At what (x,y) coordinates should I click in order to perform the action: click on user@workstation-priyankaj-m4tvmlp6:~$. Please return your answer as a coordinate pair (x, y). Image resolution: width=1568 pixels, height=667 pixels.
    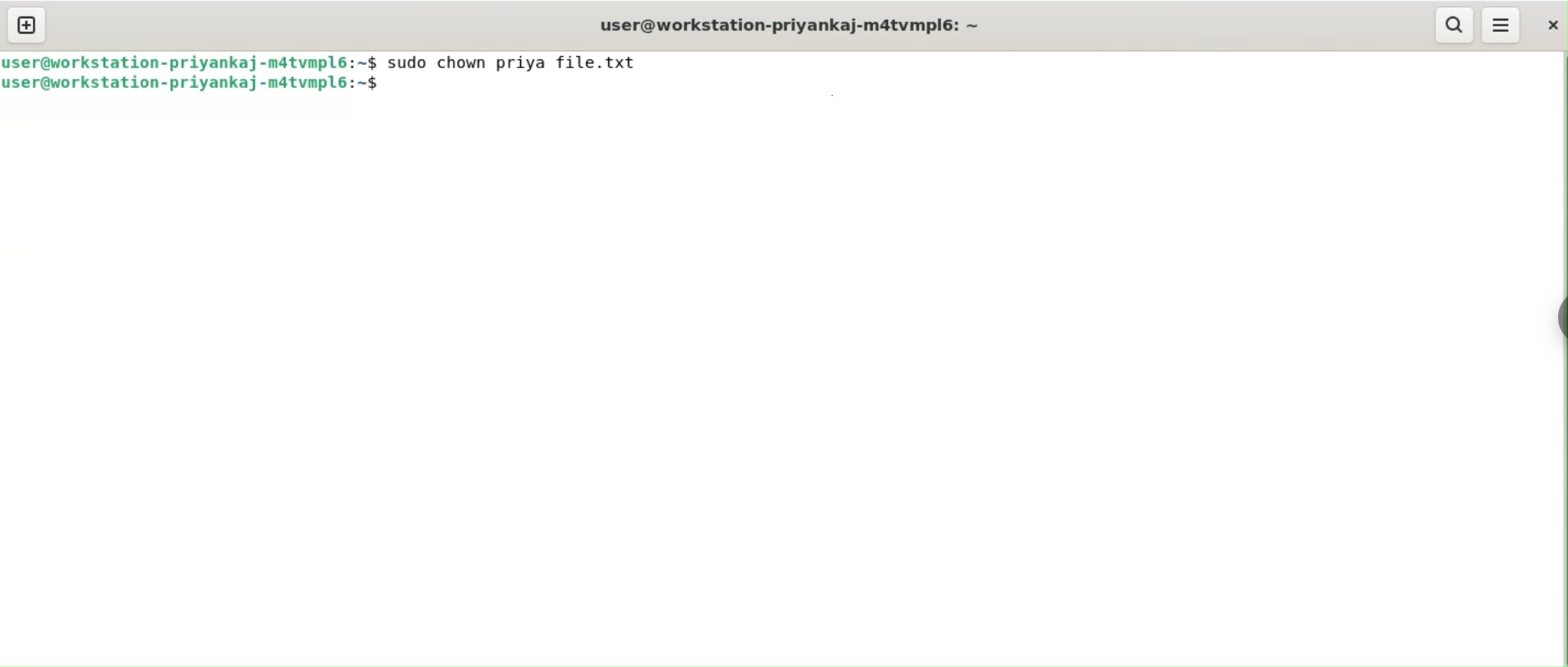
    Looking at the image, I should click on (191, 61).